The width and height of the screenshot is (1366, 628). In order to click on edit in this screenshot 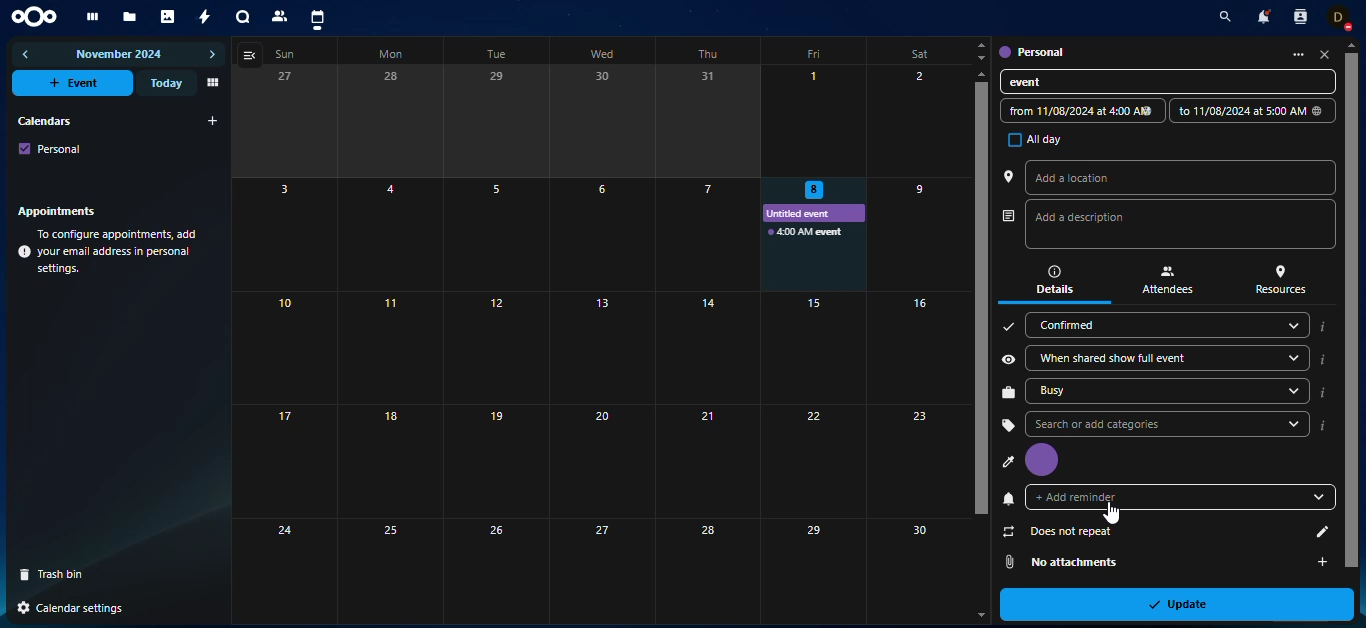, I will do `click(1314, 532)`.